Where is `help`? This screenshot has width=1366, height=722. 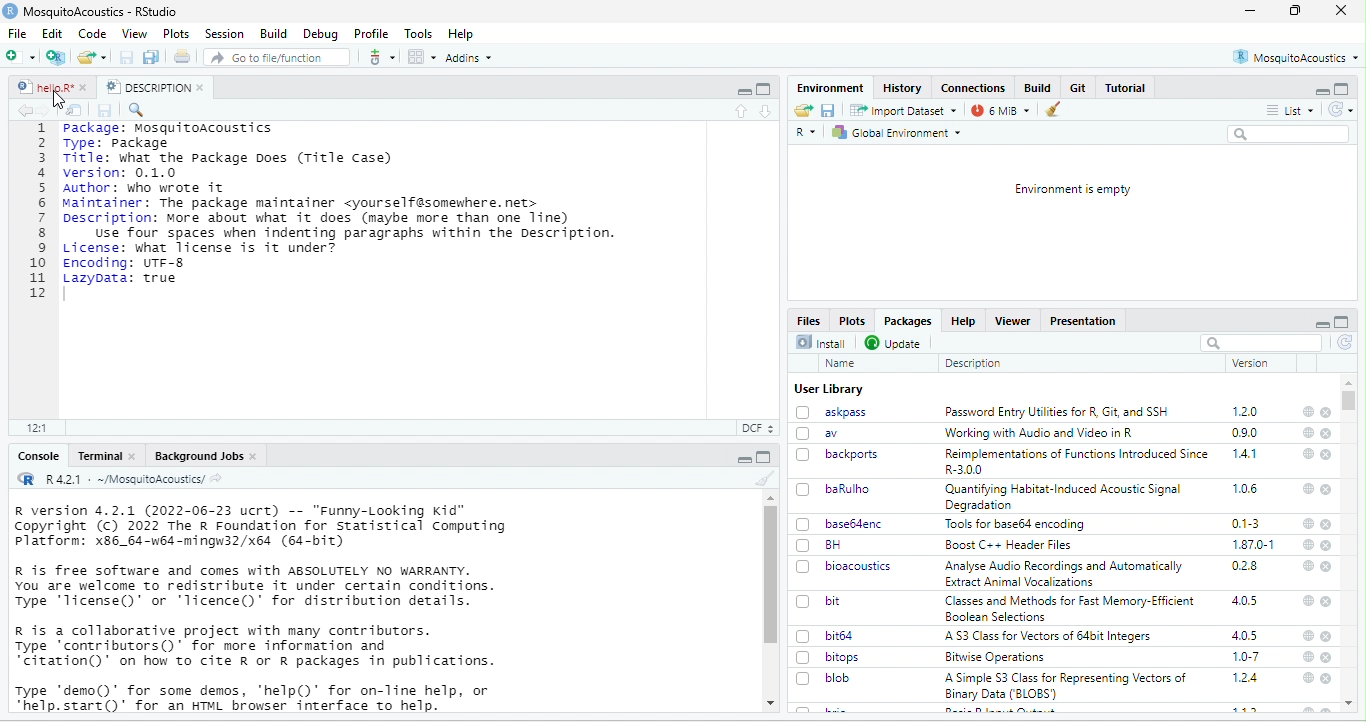 help is located at coordinates (1307, 657).